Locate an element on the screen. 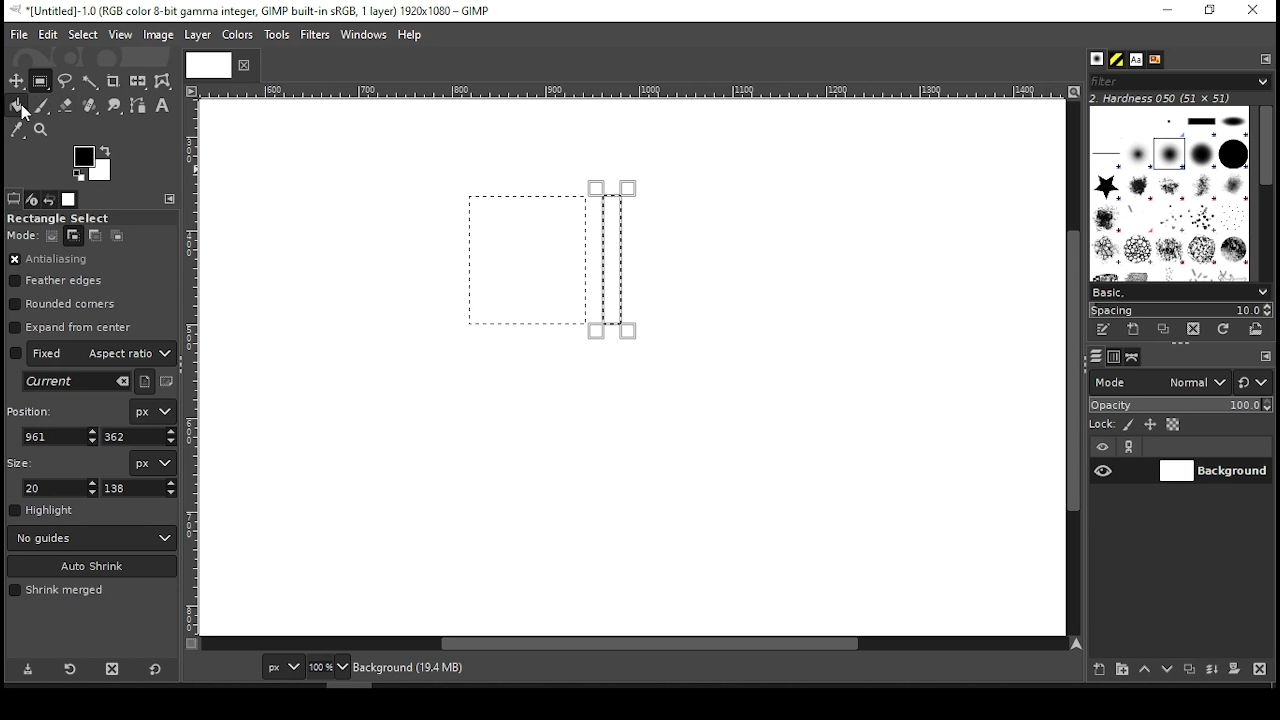 The image size is (1280, 720). close is located at coordinates (242, 65).